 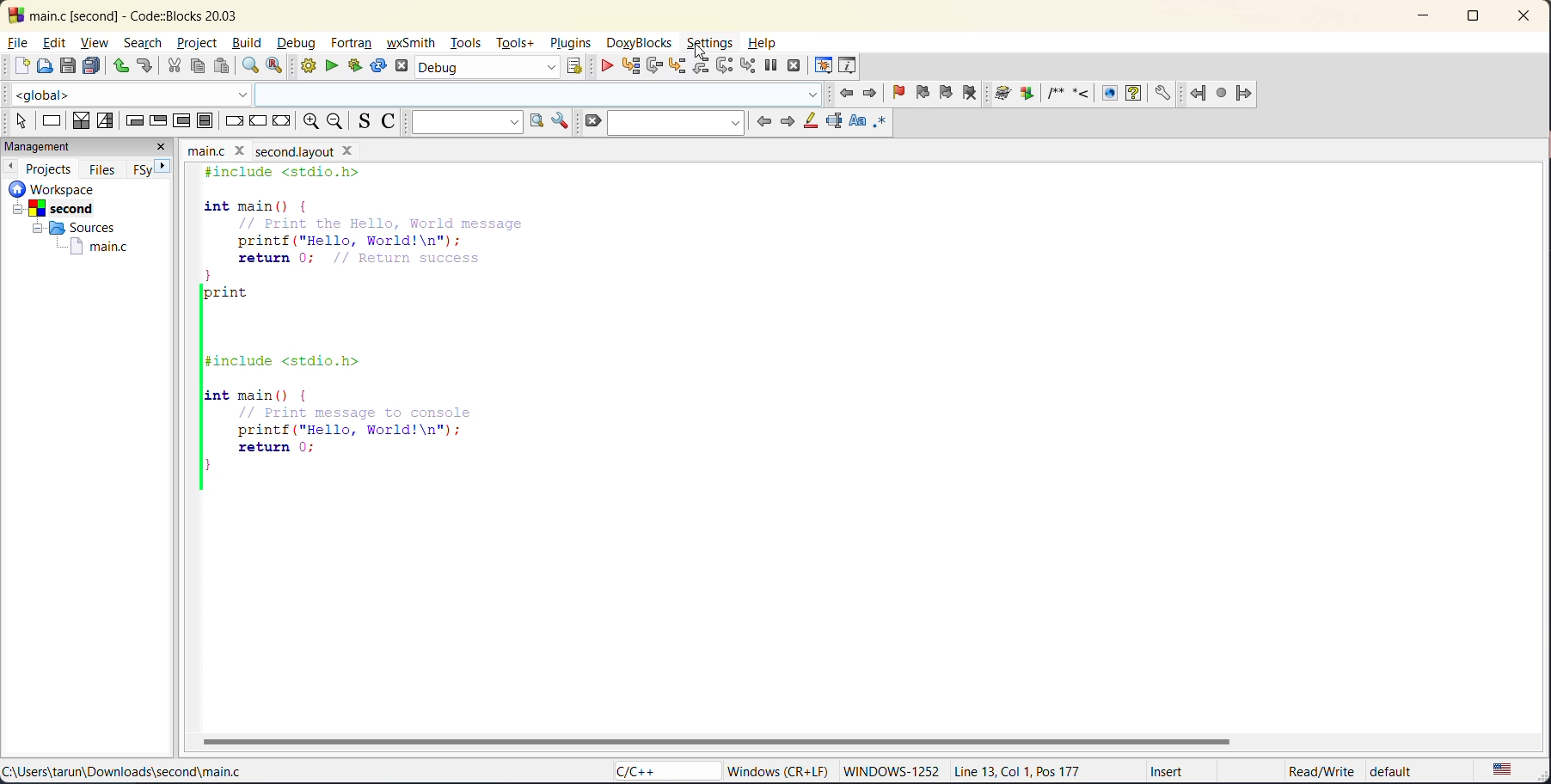 I want to click on file location, so click(x=124, y=774).